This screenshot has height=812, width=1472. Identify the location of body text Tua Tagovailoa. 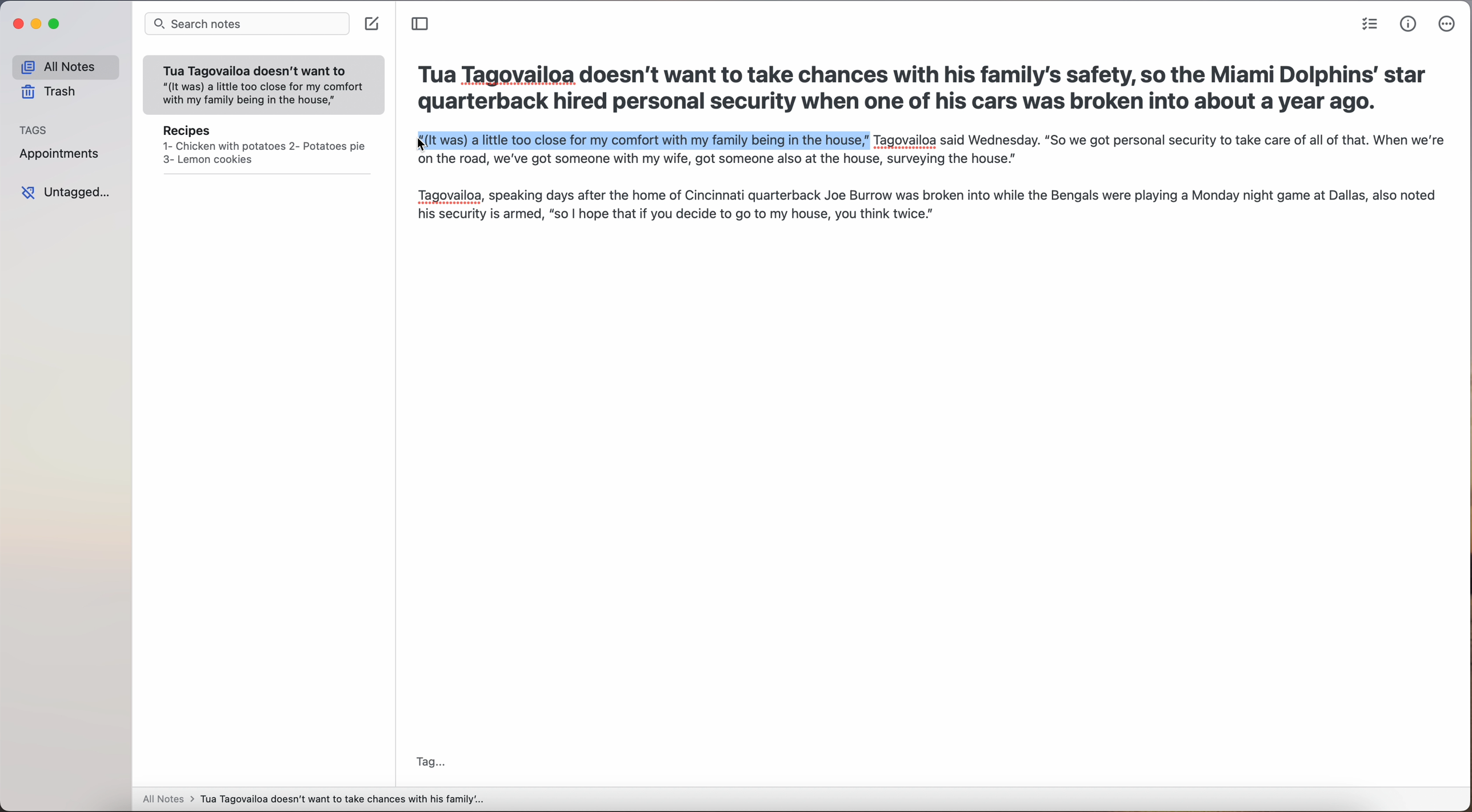
(927, 193).